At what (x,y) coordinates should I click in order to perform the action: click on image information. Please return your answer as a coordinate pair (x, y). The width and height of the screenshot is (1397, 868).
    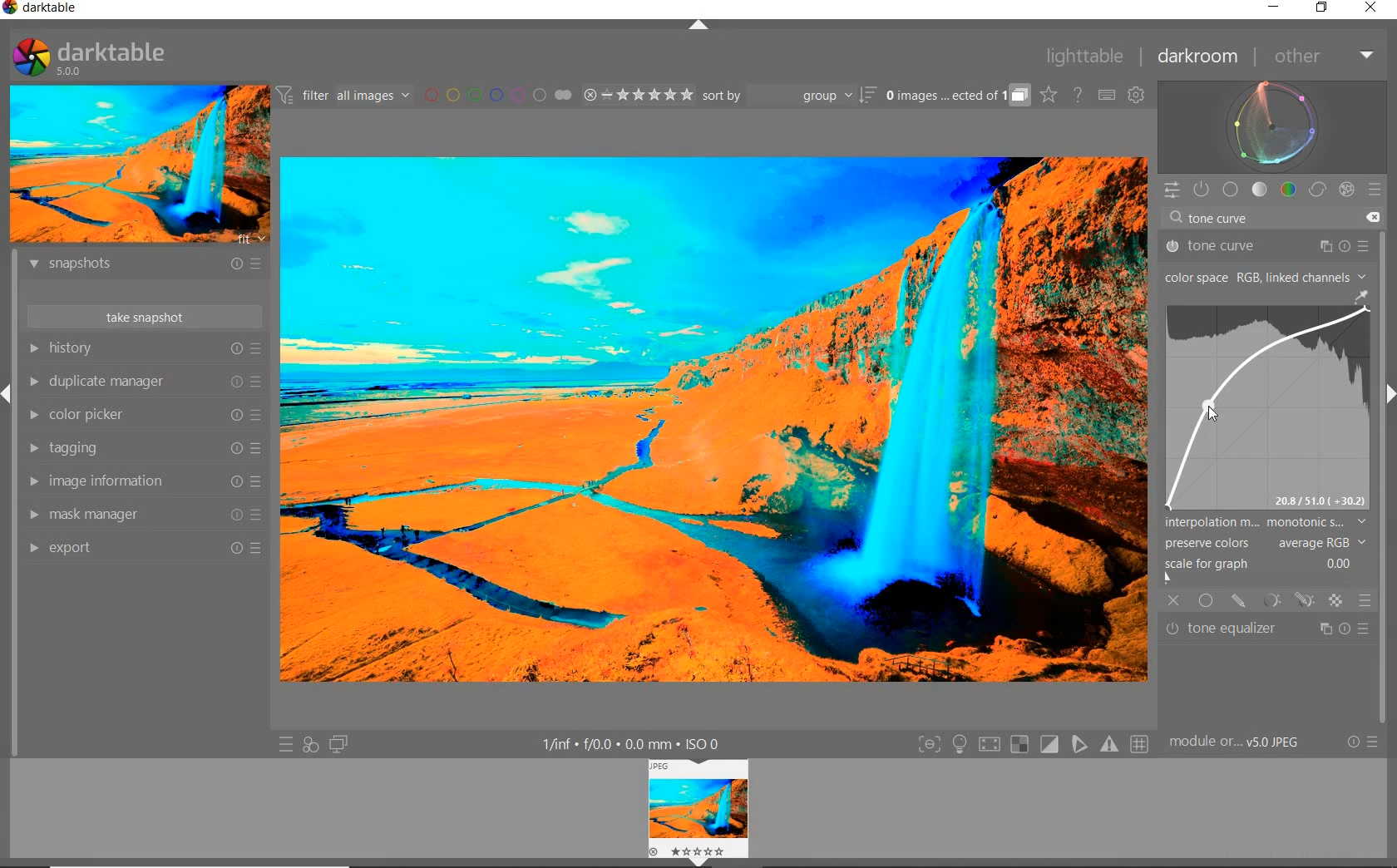
    Looking at the image, I should click on (143, 481).